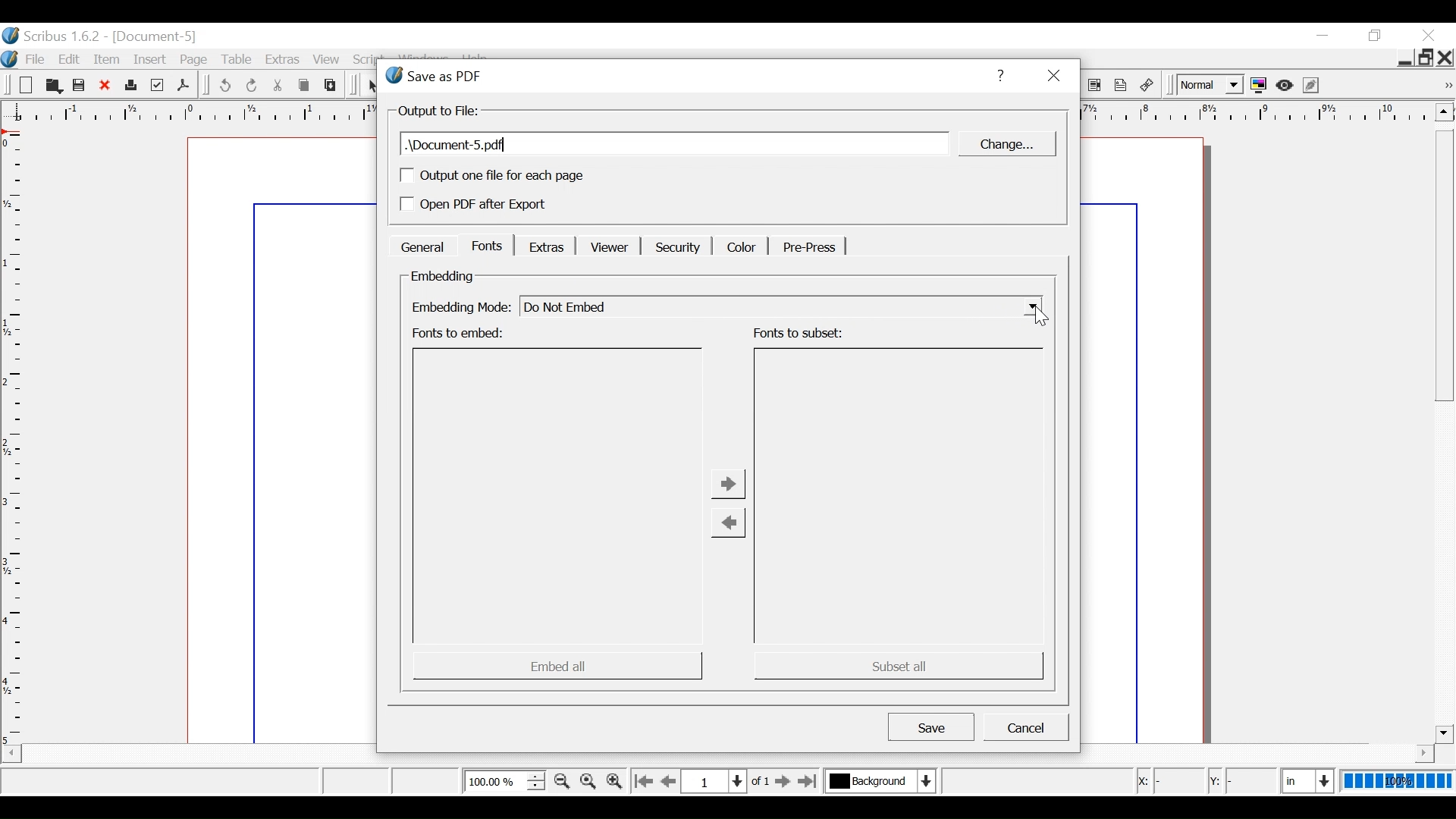 The width and height of the screenshot is (1456, 819). Describe the element at coordinates (277, 439) in the screenshot. I see `Document` at that location.